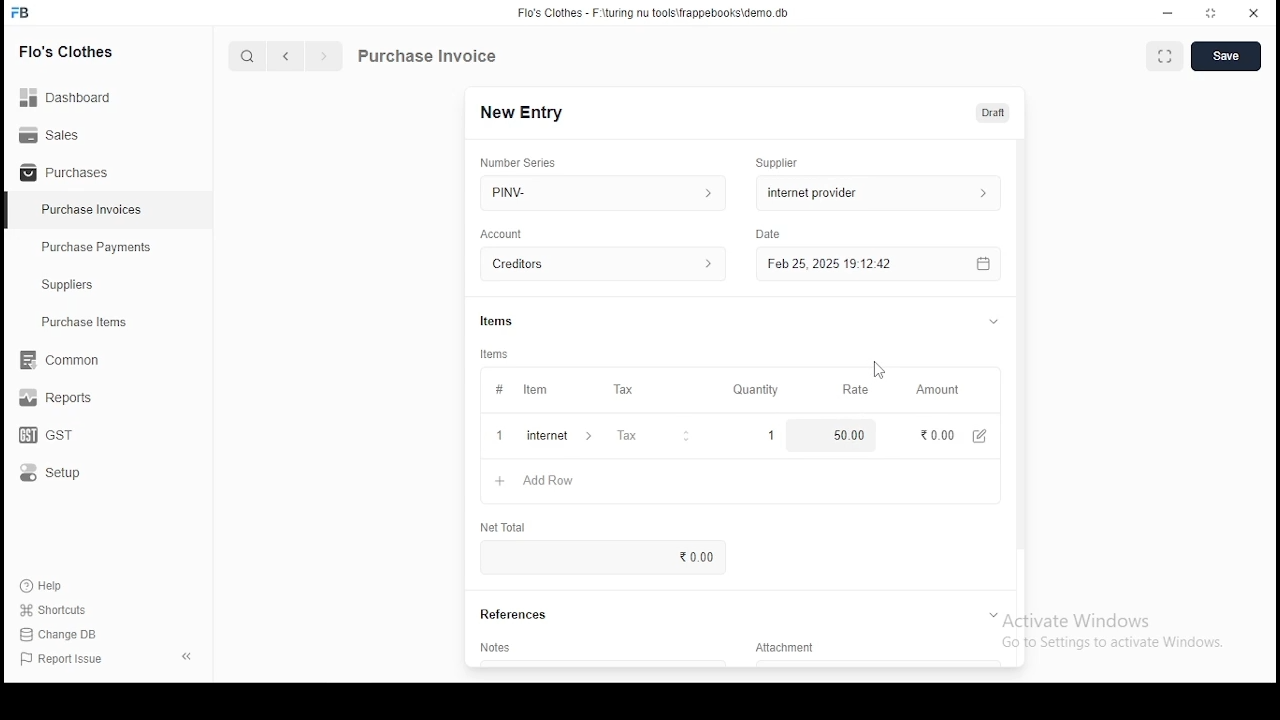  I want to click on setup, so click(63, 474).